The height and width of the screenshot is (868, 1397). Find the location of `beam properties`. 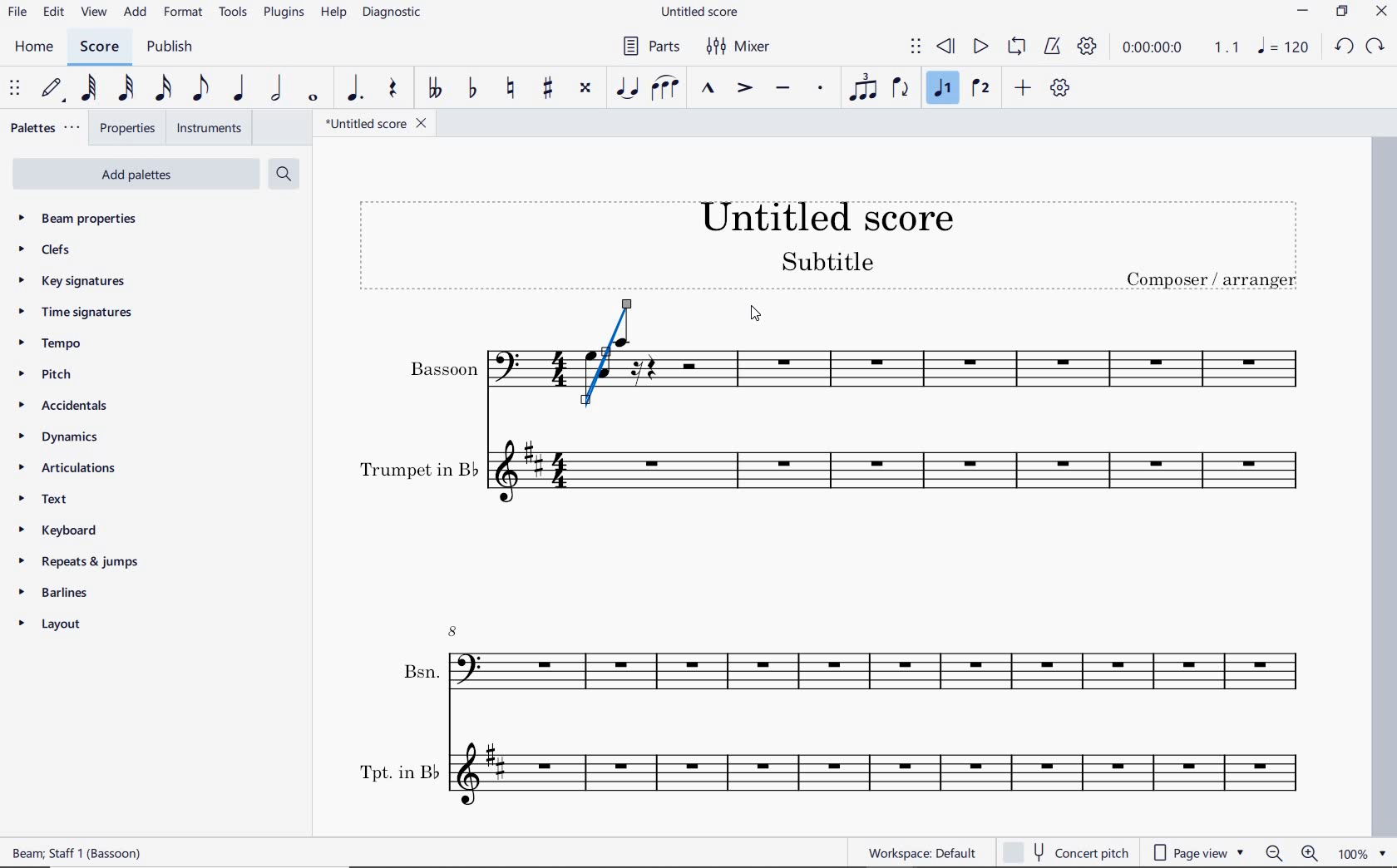

beam properties is located at coordinates (88, 218).